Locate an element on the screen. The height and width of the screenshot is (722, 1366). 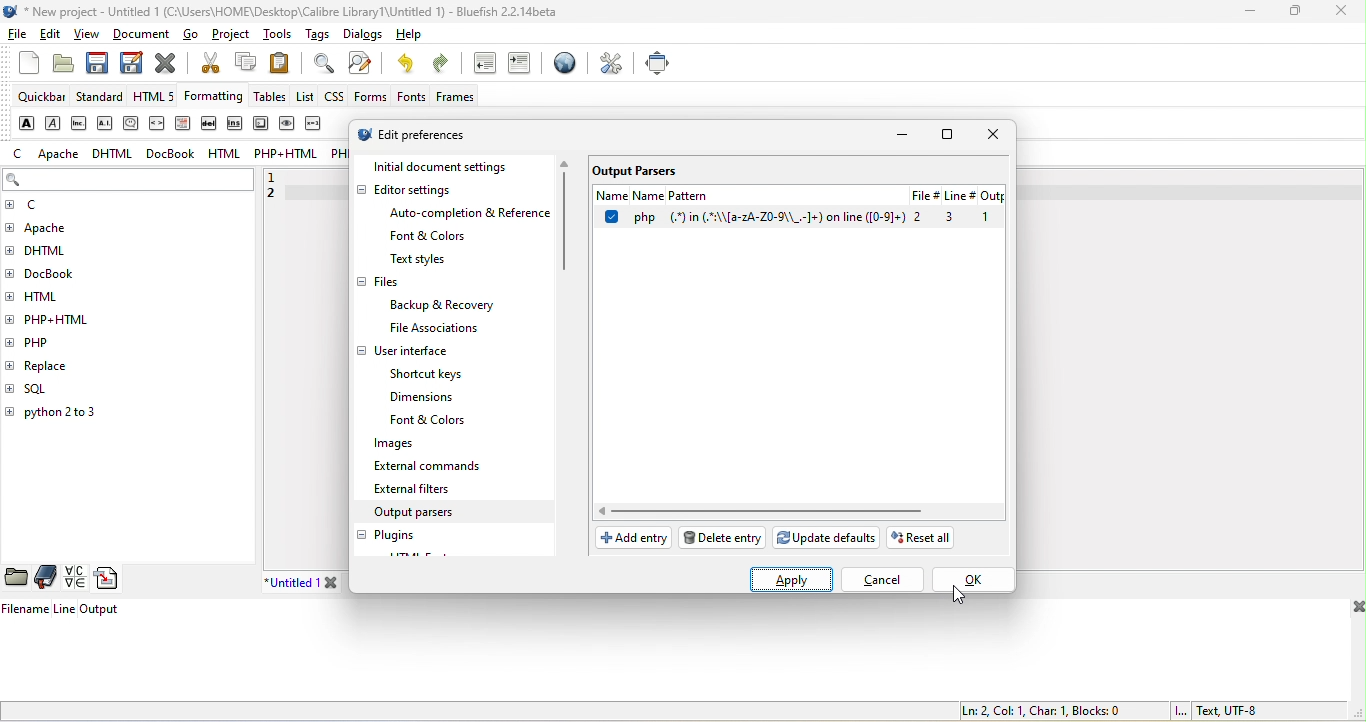
dialogs is located at coordinates (359, 36).